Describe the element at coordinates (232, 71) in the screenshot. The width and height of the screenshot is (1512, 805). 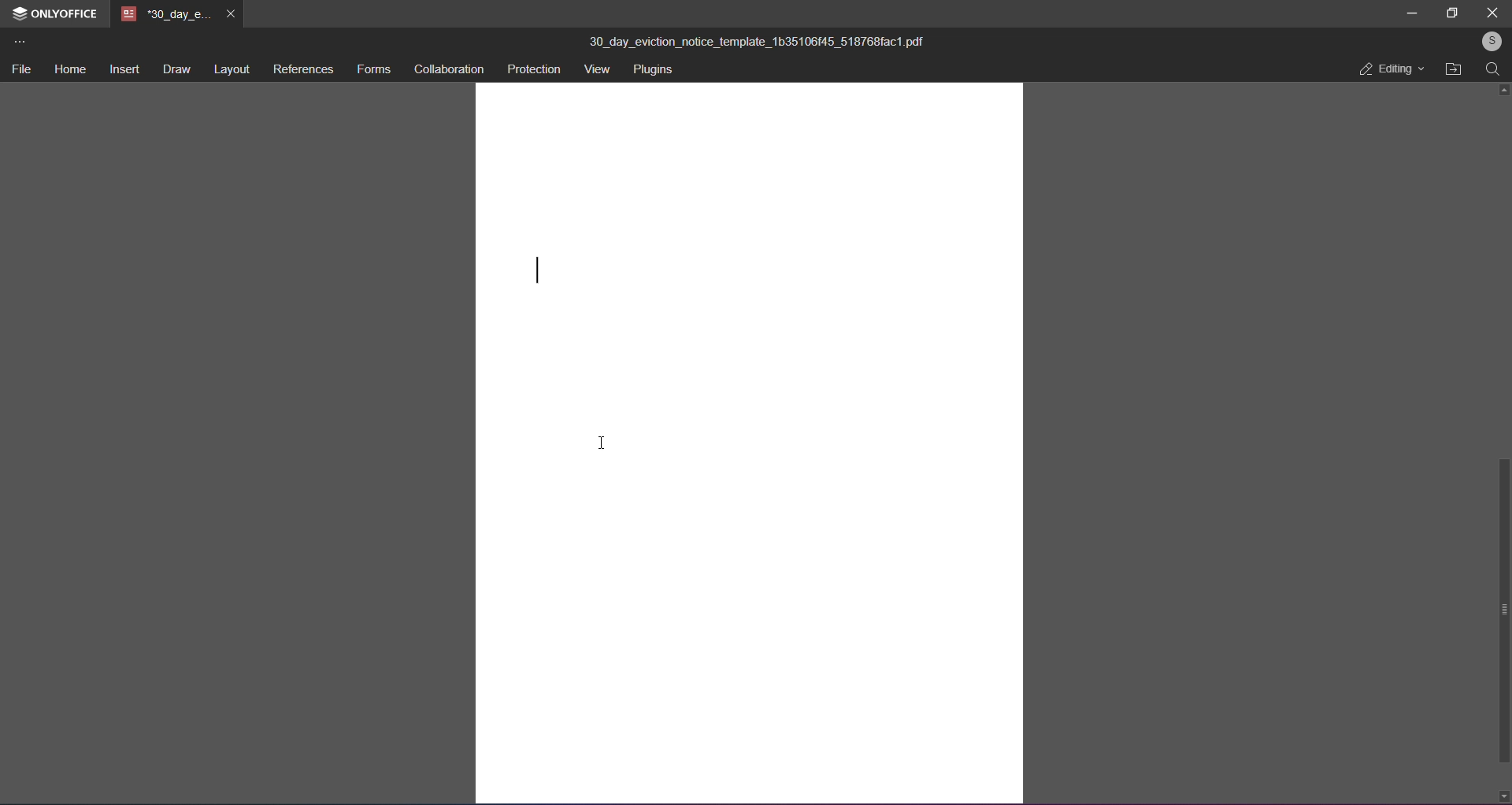
I see `layout` at that location.